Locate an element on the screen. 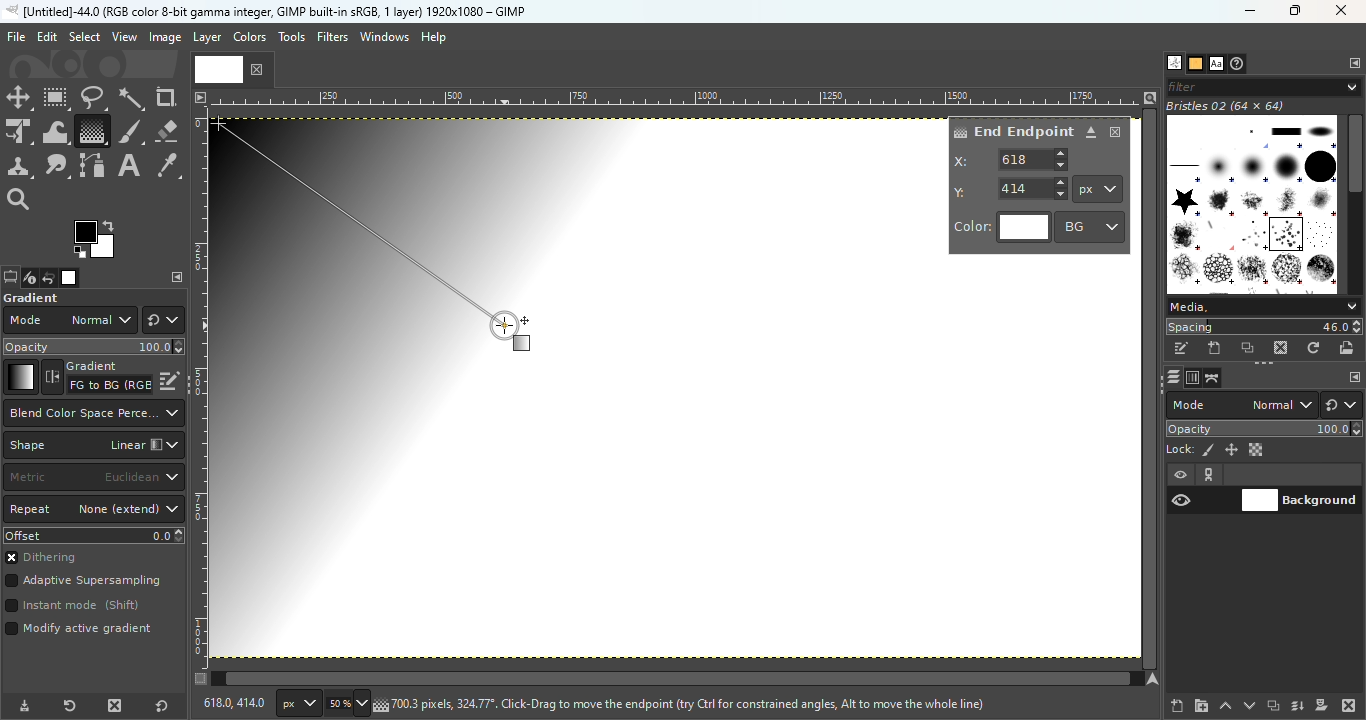 The image size is (1366, 720). Navigate is located at coordinates (1155, 679).